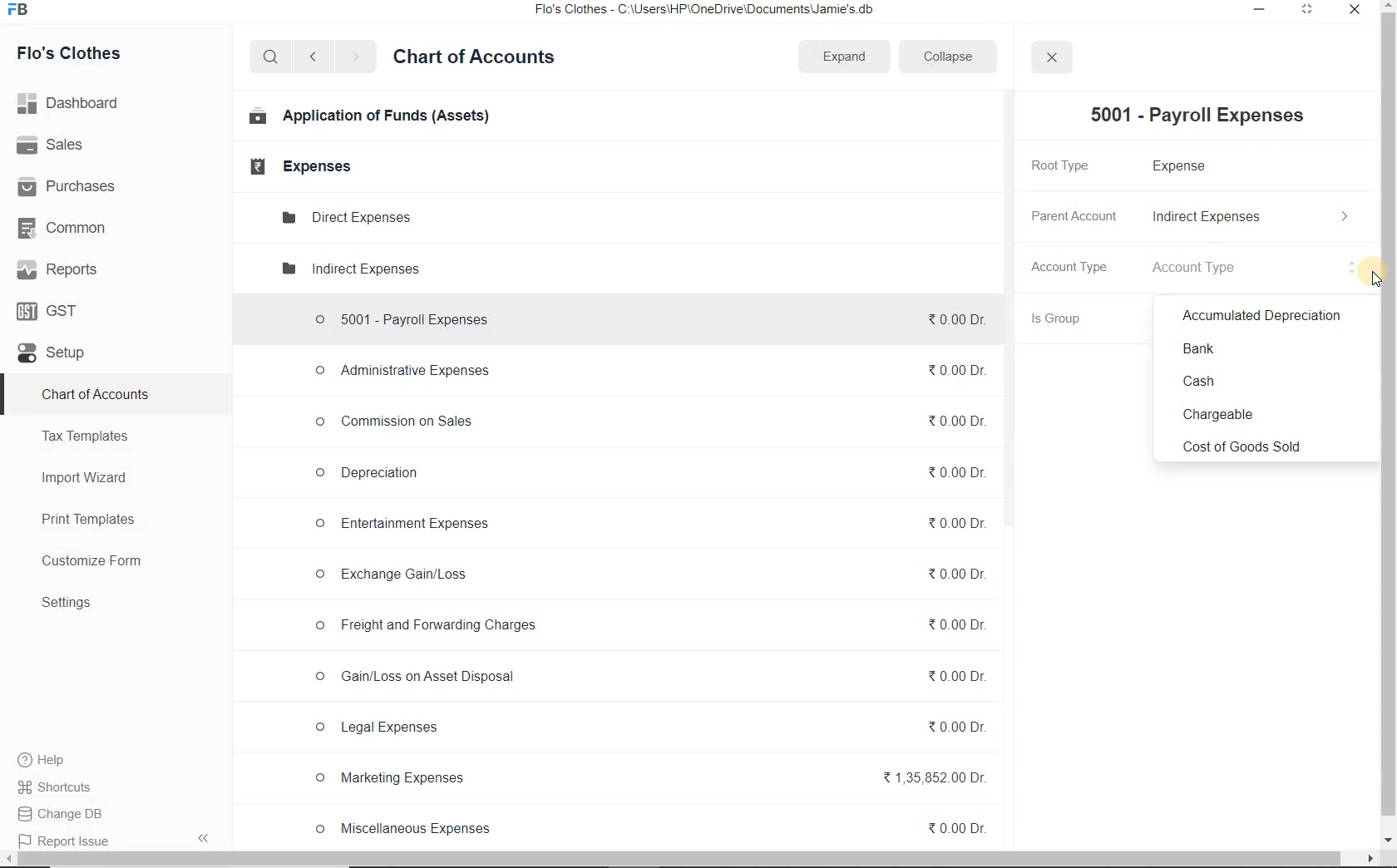 Image resolution: width=1397 pixels, height=868 pixels. I want to click on Expand, so click(846, 57).